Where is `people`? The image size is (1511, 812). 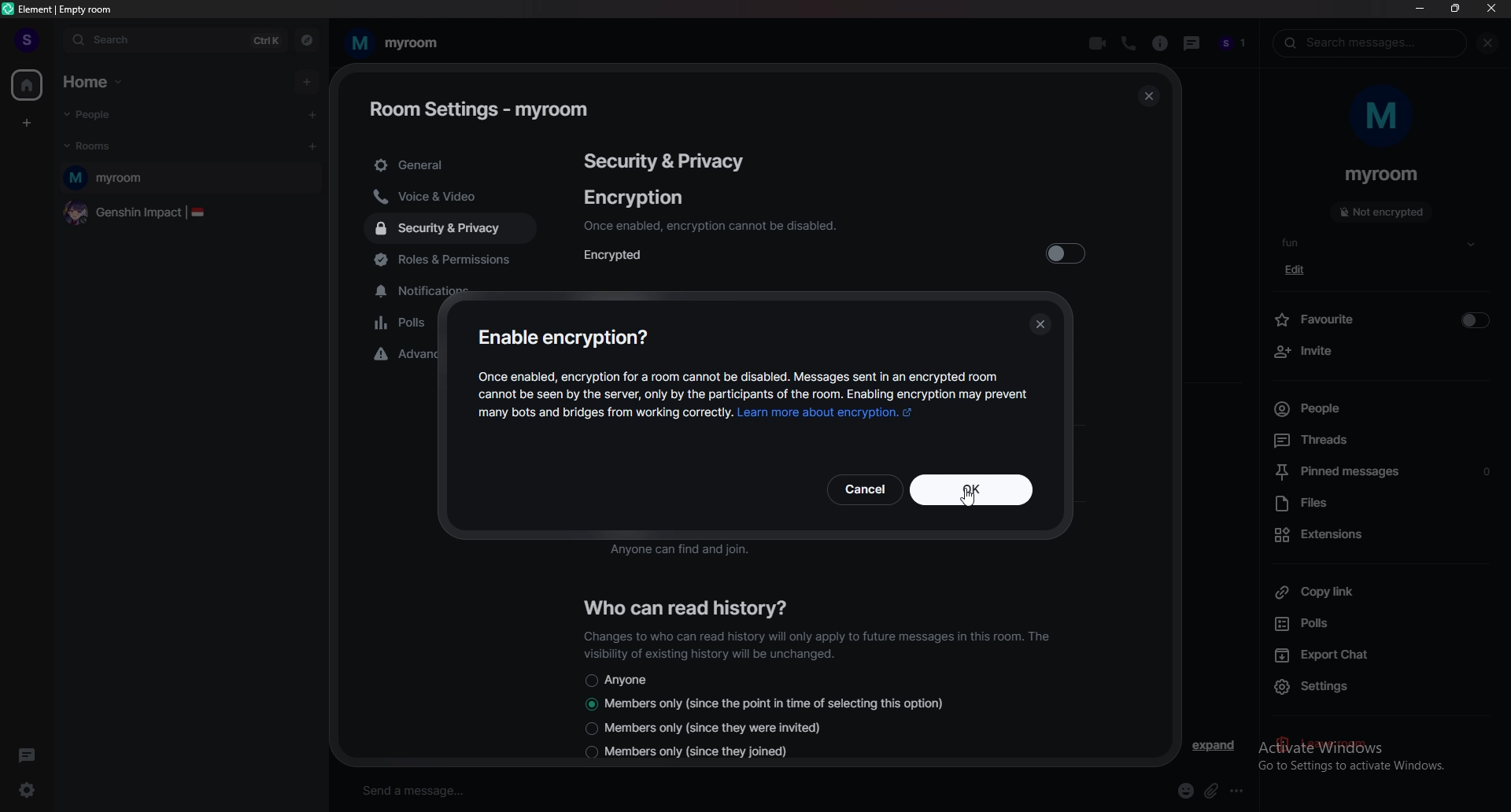
people is located at coordinates (1236, 44).